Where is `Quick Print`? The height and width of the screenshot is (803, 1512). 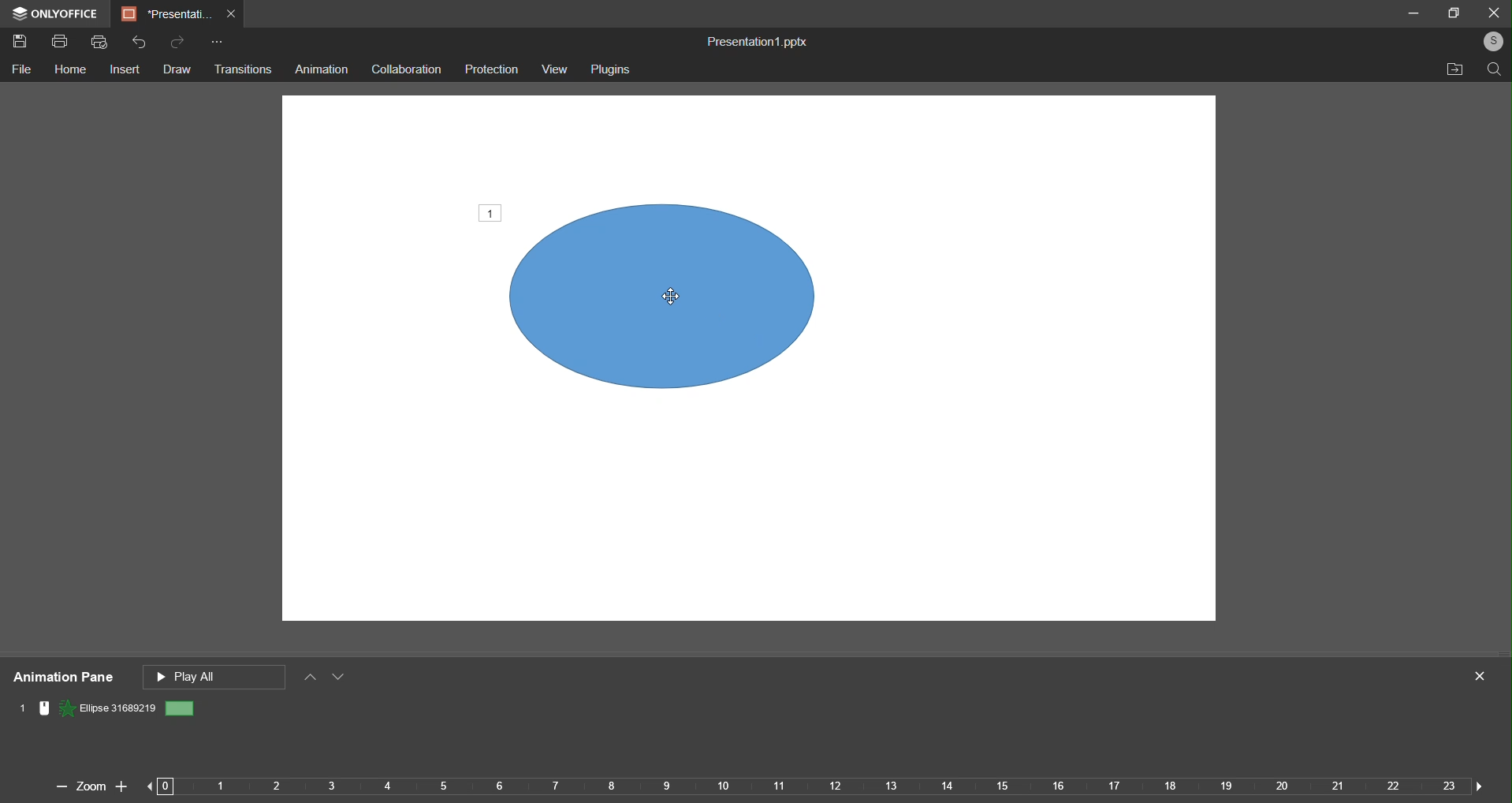
Quick Print is located at coordinates (102, 43).